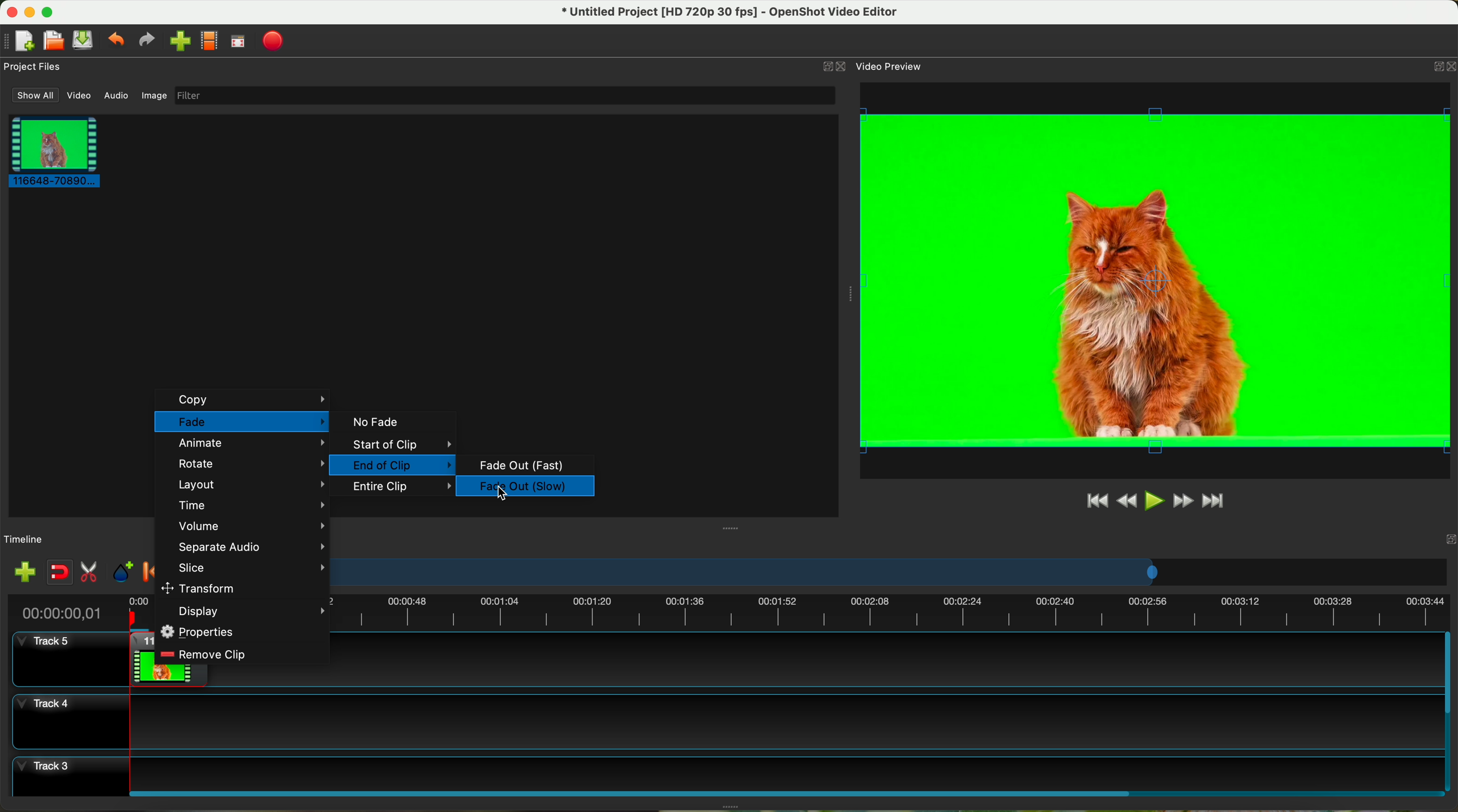 The height and width of the screenshot is (812, 1458). Describe the element at coordinates (249, 484) in the screenshot. I see `layout` at that location.